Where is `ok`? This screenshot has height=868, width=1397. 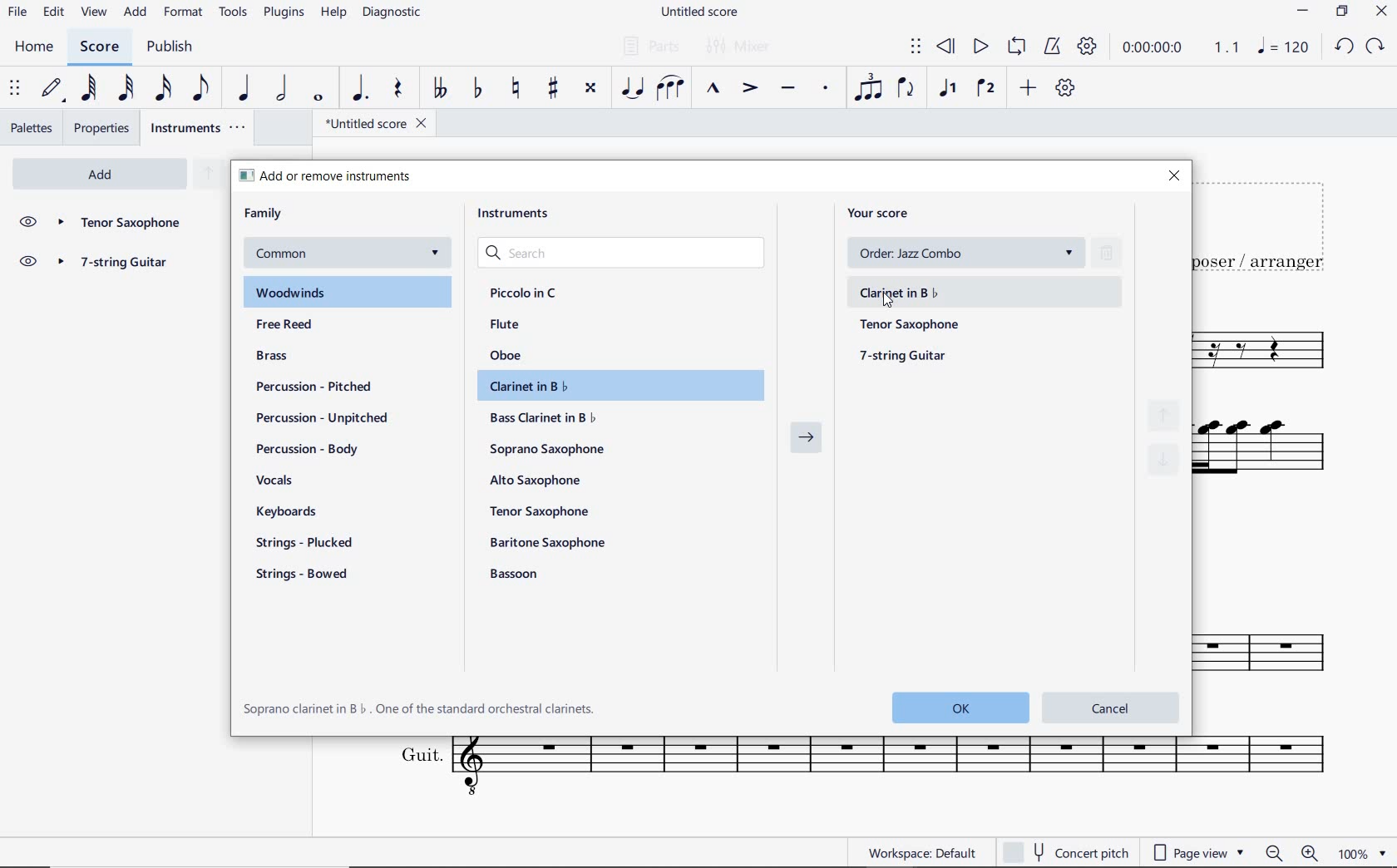 ok is located at coordinates (955, 707).